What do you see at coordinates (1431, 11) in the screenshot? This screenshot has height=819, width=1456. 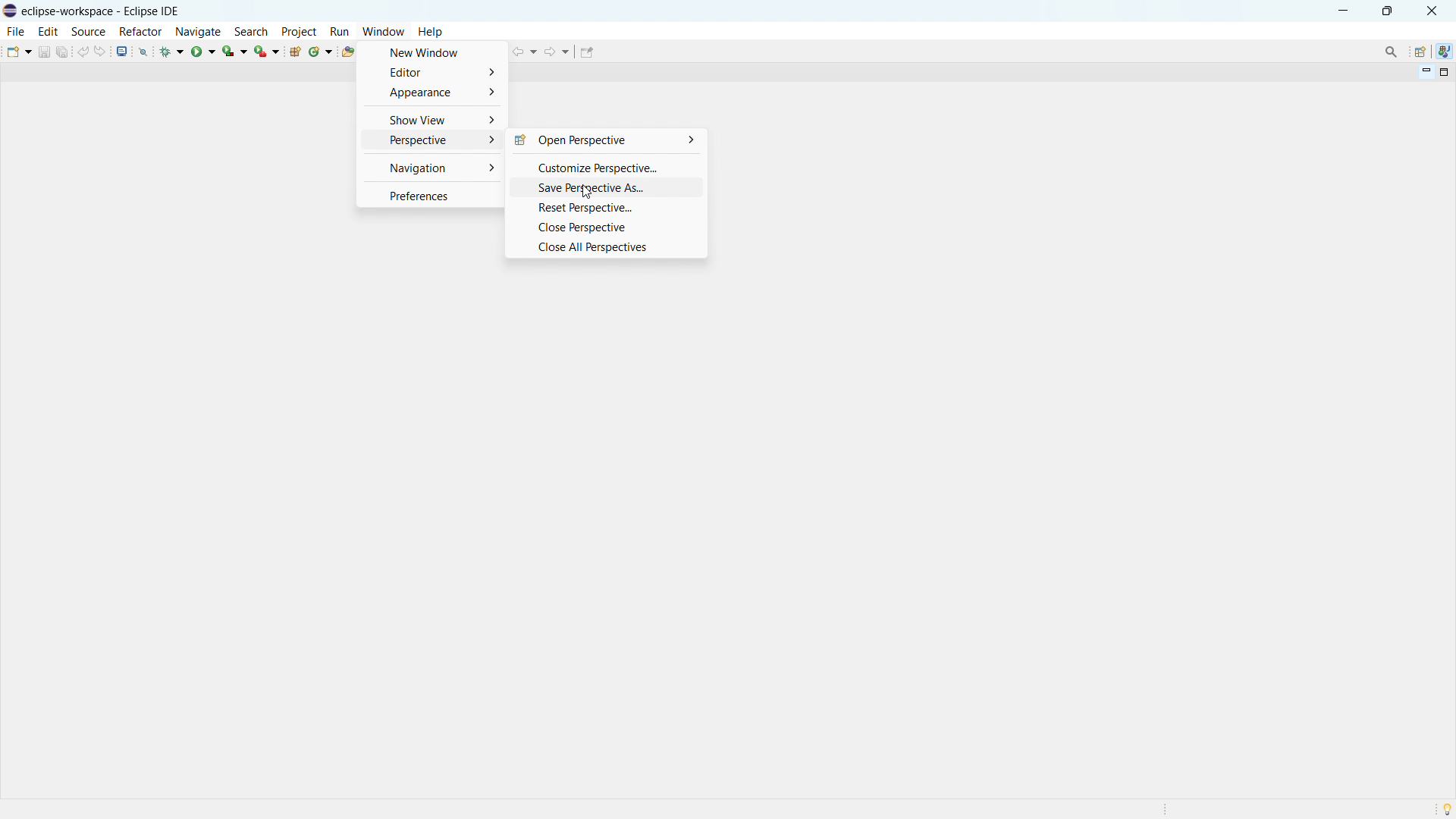 I see `close` at bounding box center [1431, 11].